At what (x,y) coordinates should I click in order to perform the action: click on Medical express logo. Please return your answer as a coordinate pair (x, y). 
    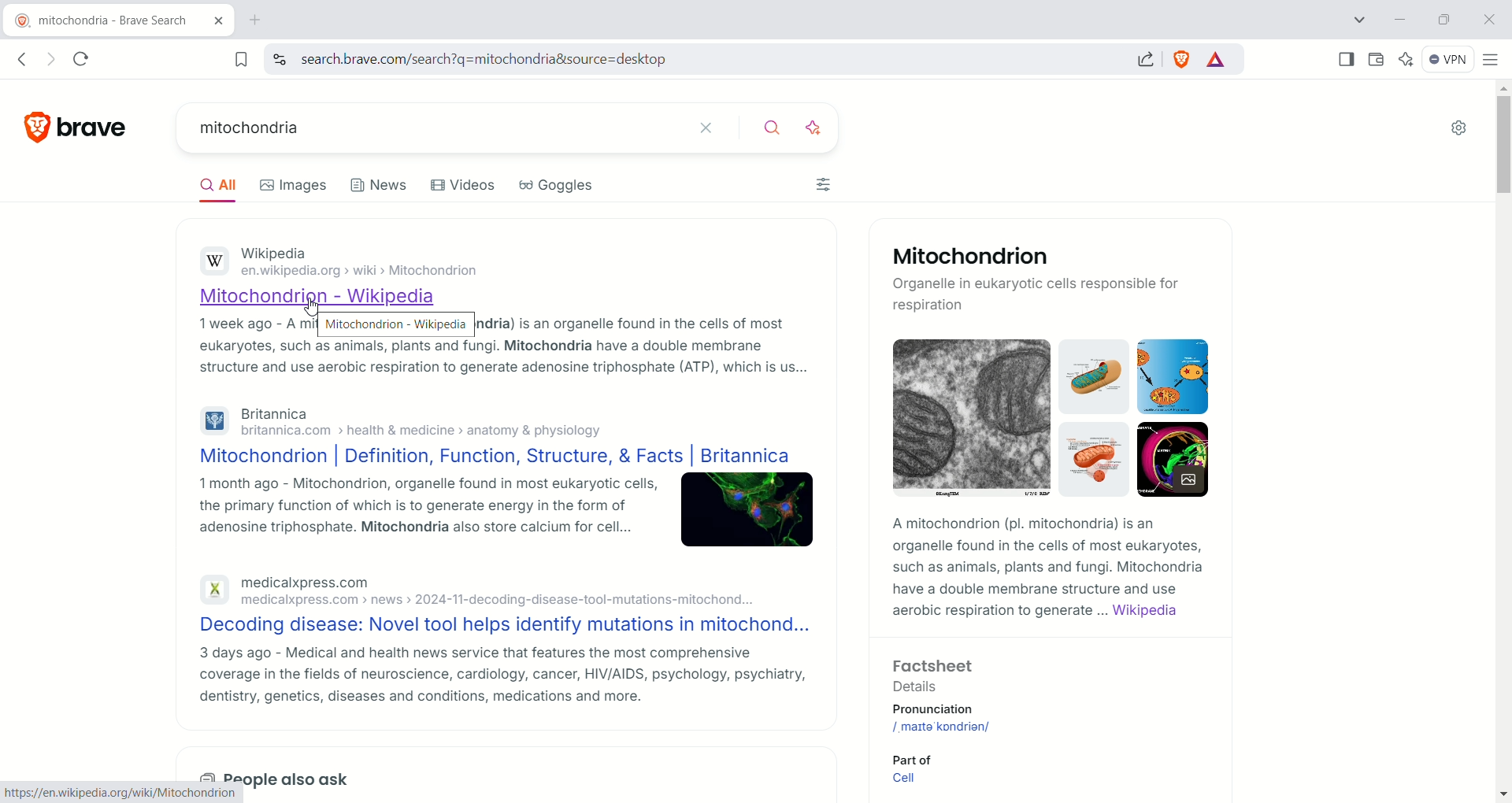
    Looking at the image, I should click on (215, 589).